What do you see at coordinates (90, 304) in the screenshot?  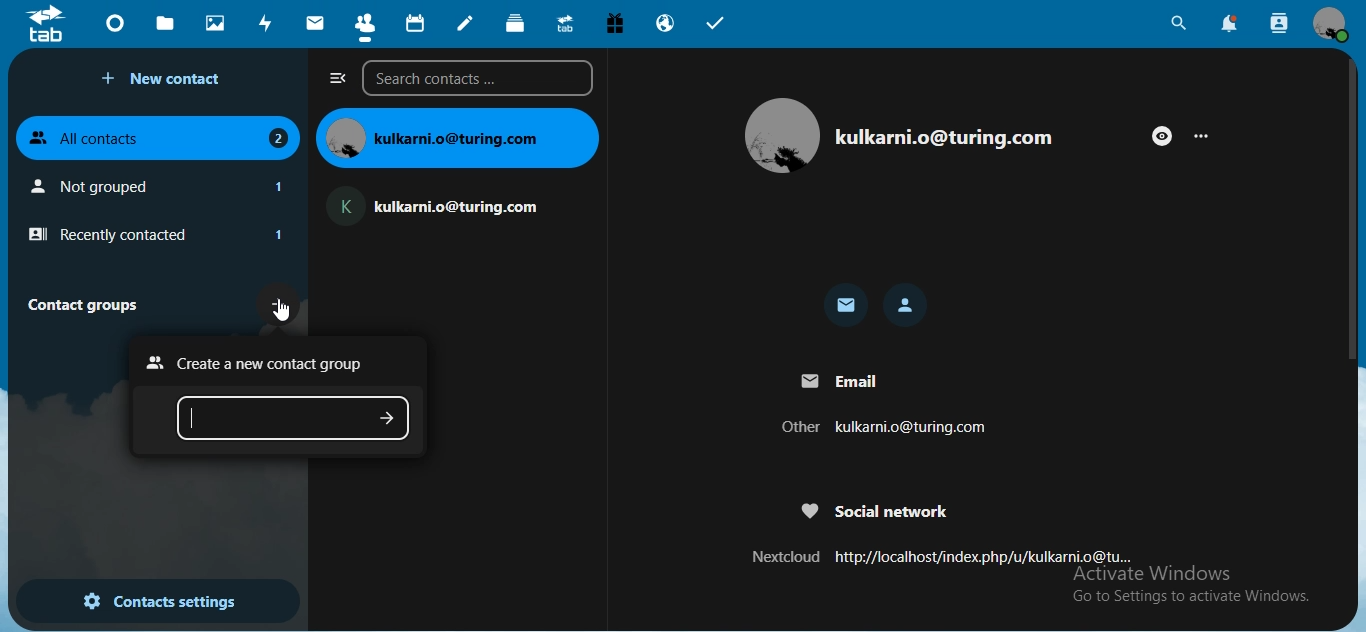 I see `contact group` at bounding box center [90, 304].